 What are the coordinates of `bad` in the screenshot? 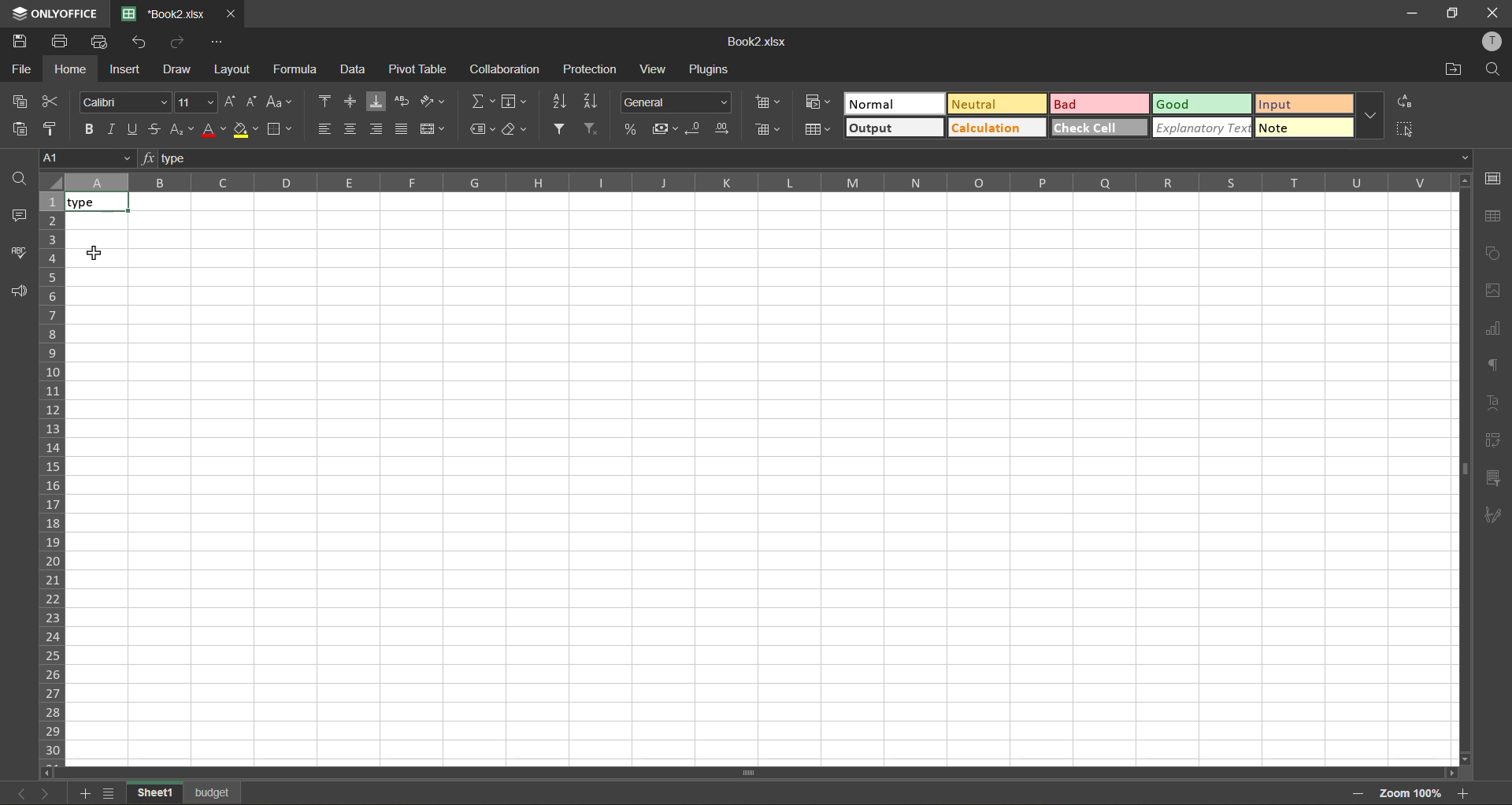 It's located at (1099, 103).